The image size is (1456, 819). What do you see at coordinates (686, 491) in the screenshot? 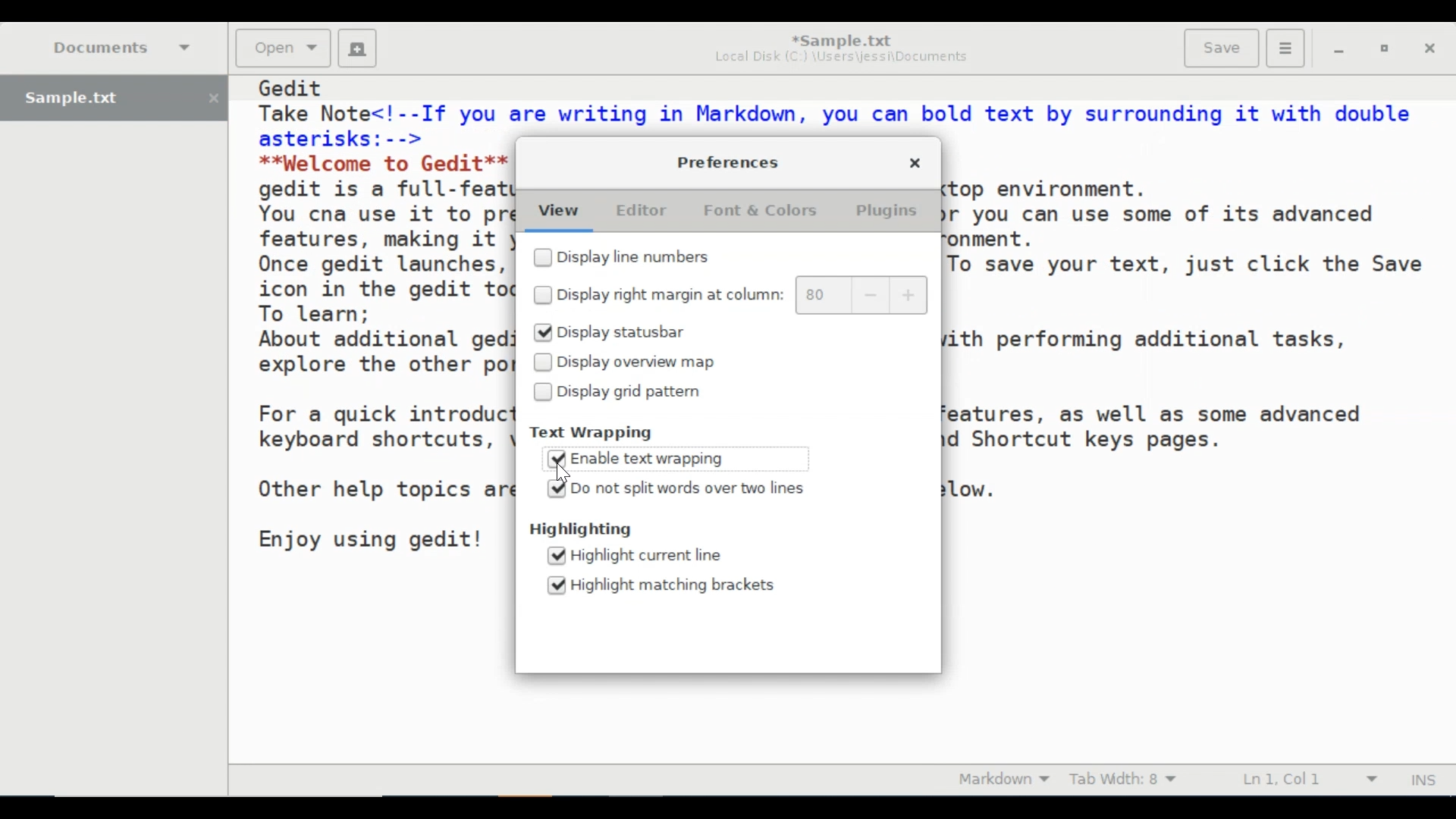
I see `(un)select Do not split words over two lines` at bounding box center [686, 491].